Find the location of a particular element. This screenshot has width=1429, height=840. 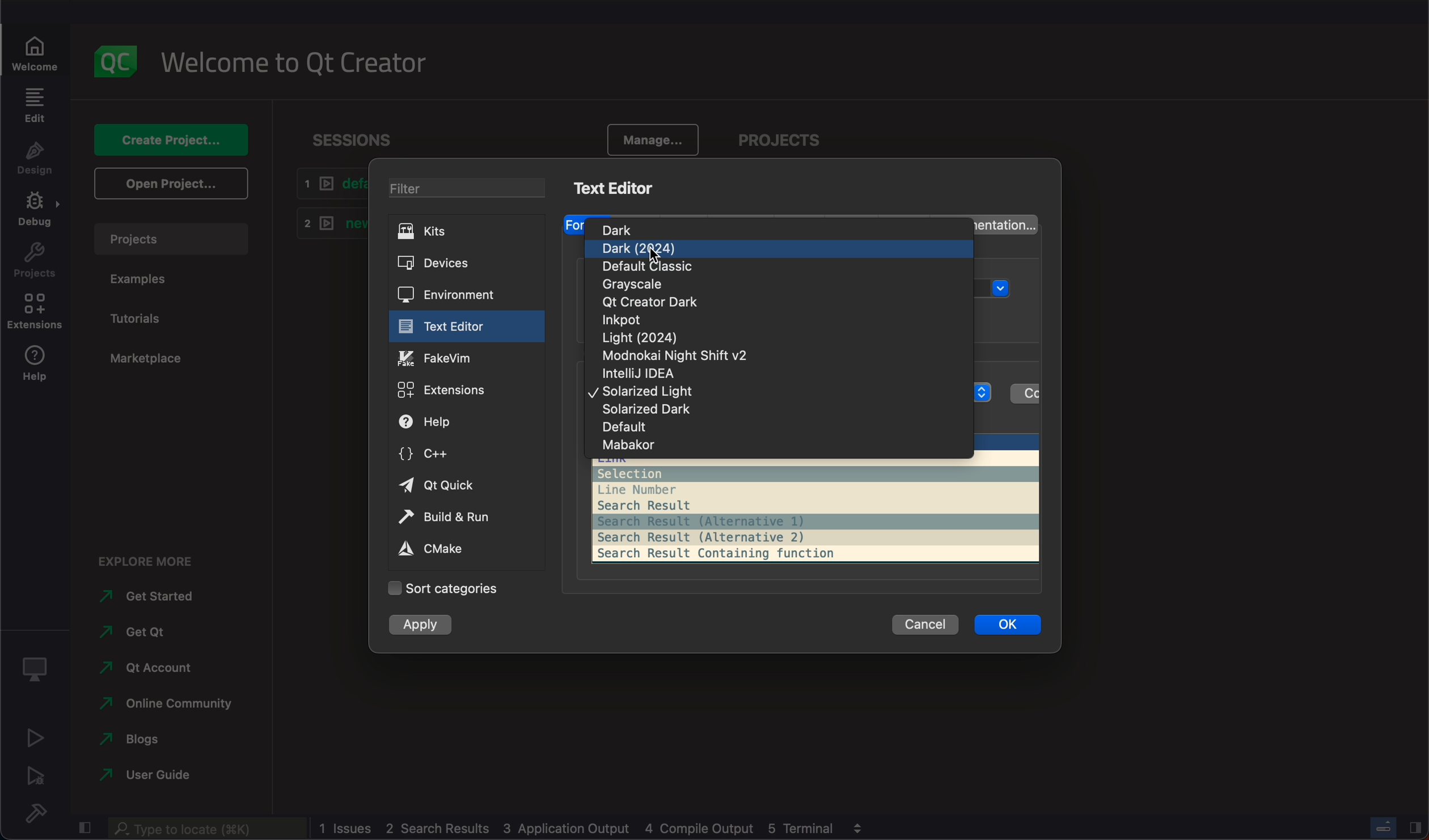

started is located at coordinates (141, 598).